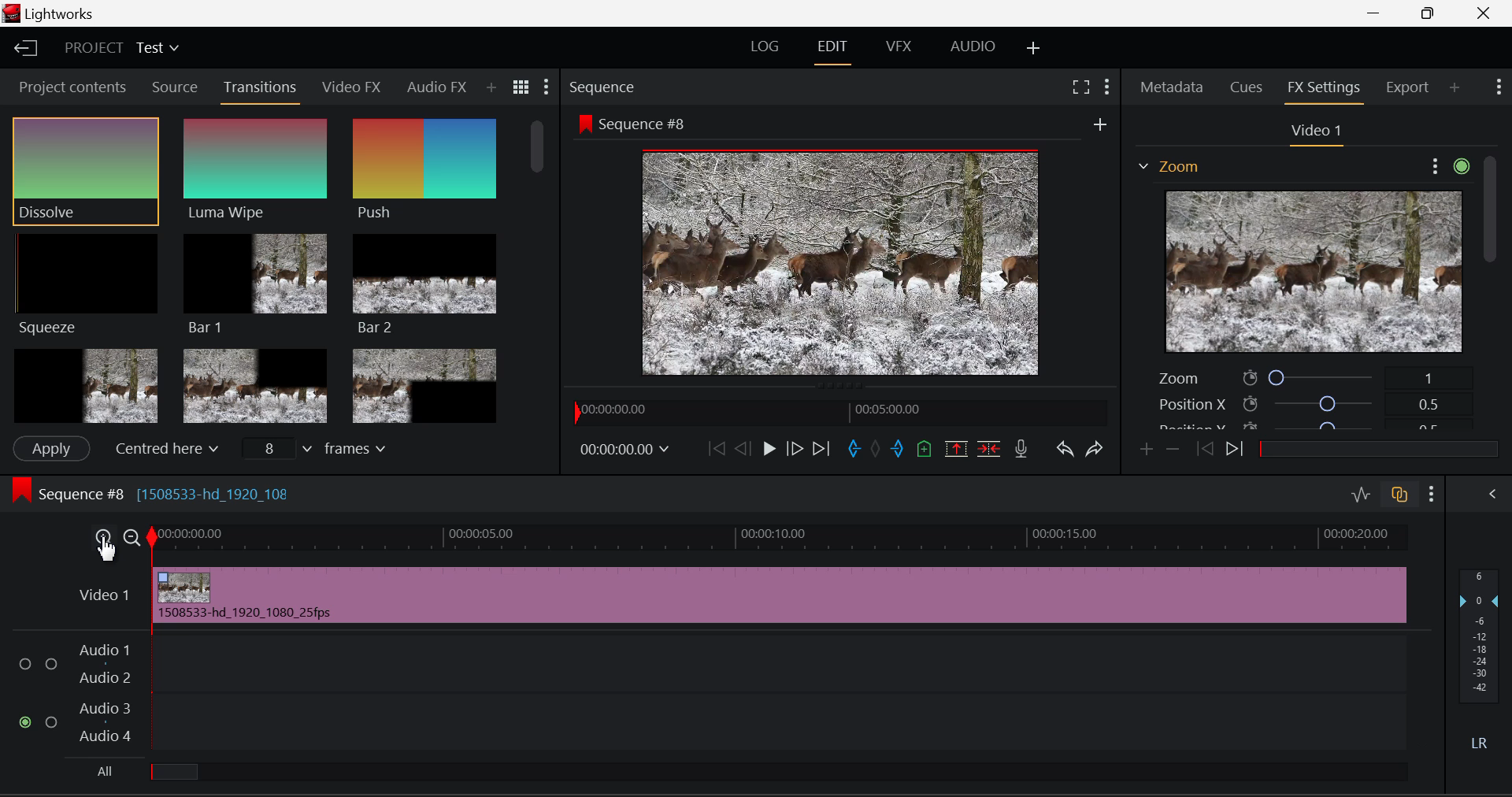  I want to click on Audio Input Checkbox, so click(51, 722).